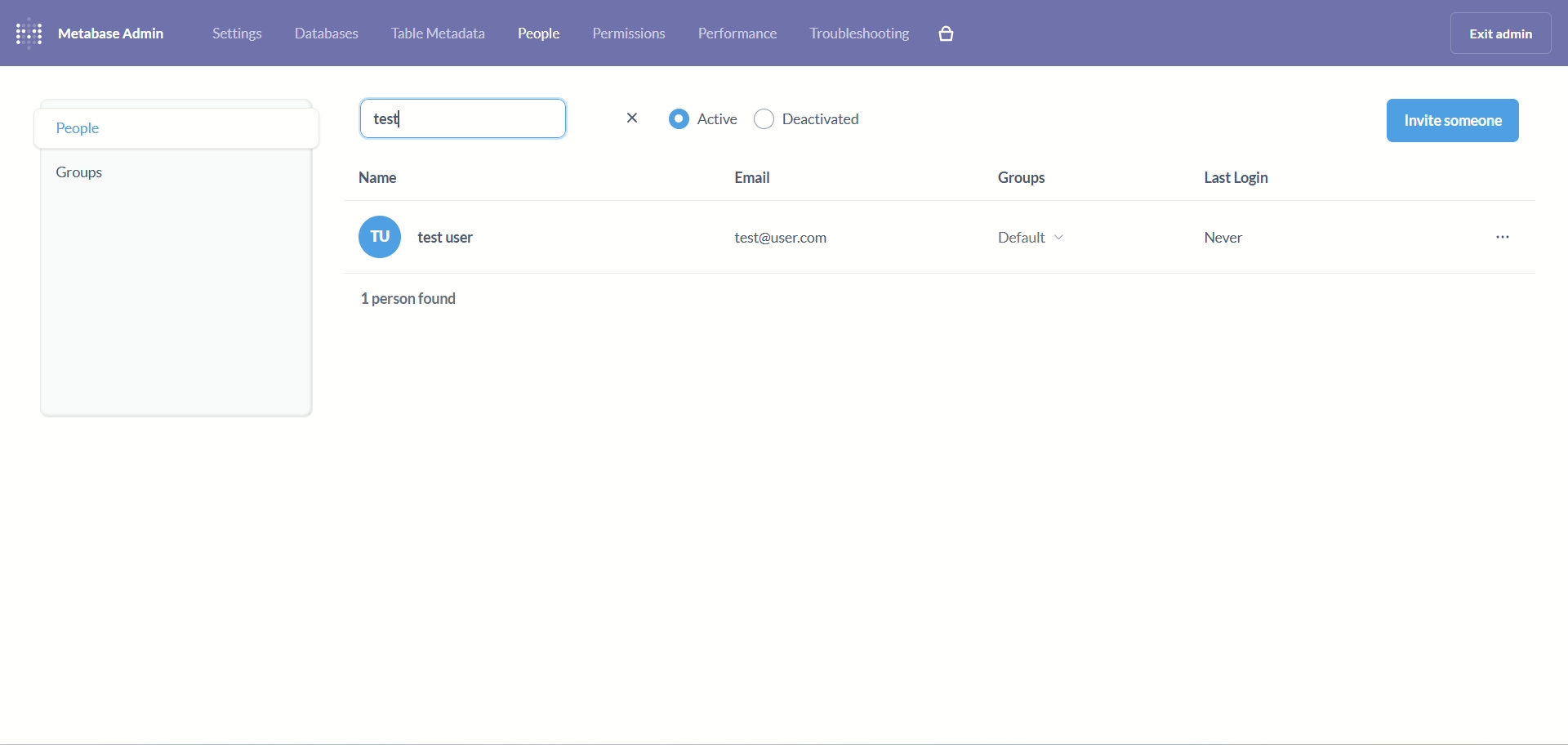 The height and width of the screenshot is (745, 1568). What do you see at coordinates (932, 238) in the screenshot?
I see `test user` at bounding box center [932, 238].